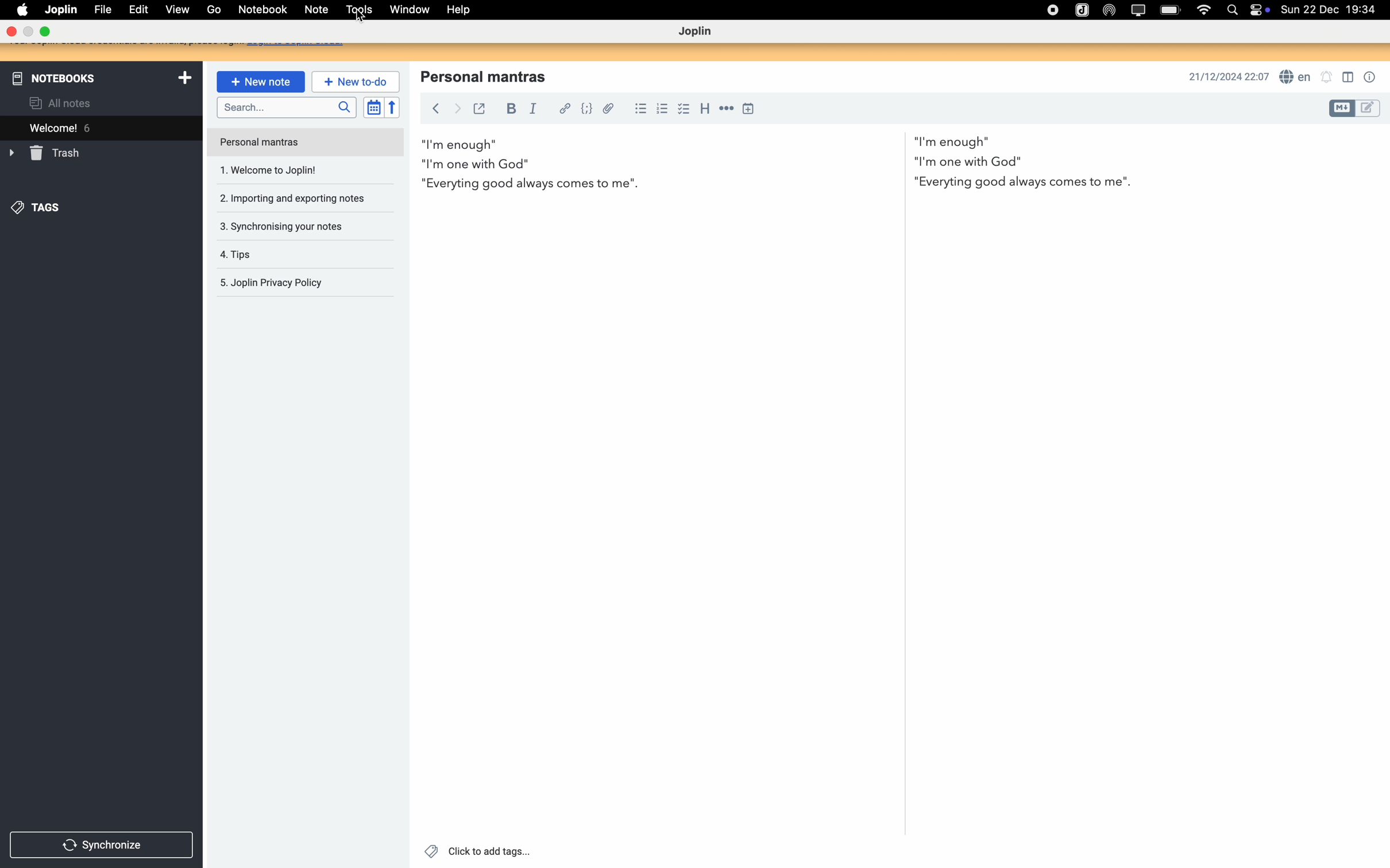 This screenshot has height=868, width=1390. What do you see at coordinates (355, 11) in the screenshot?
I see `click on tools` at bounding box center [355, 11].